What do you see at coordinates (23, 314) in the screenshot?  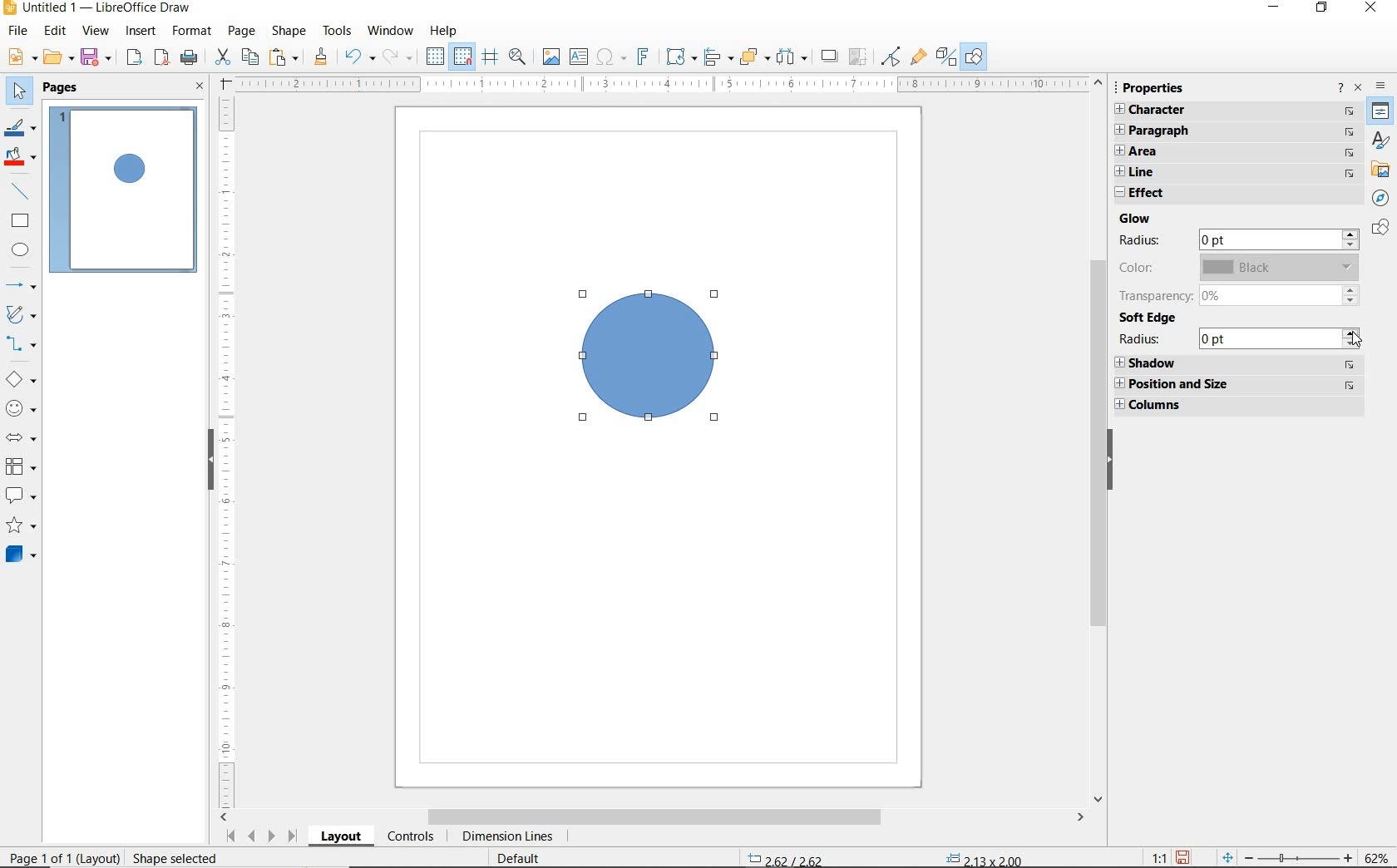 I see `CURVES AND POLYGONS` at bounding box center [23, 314].